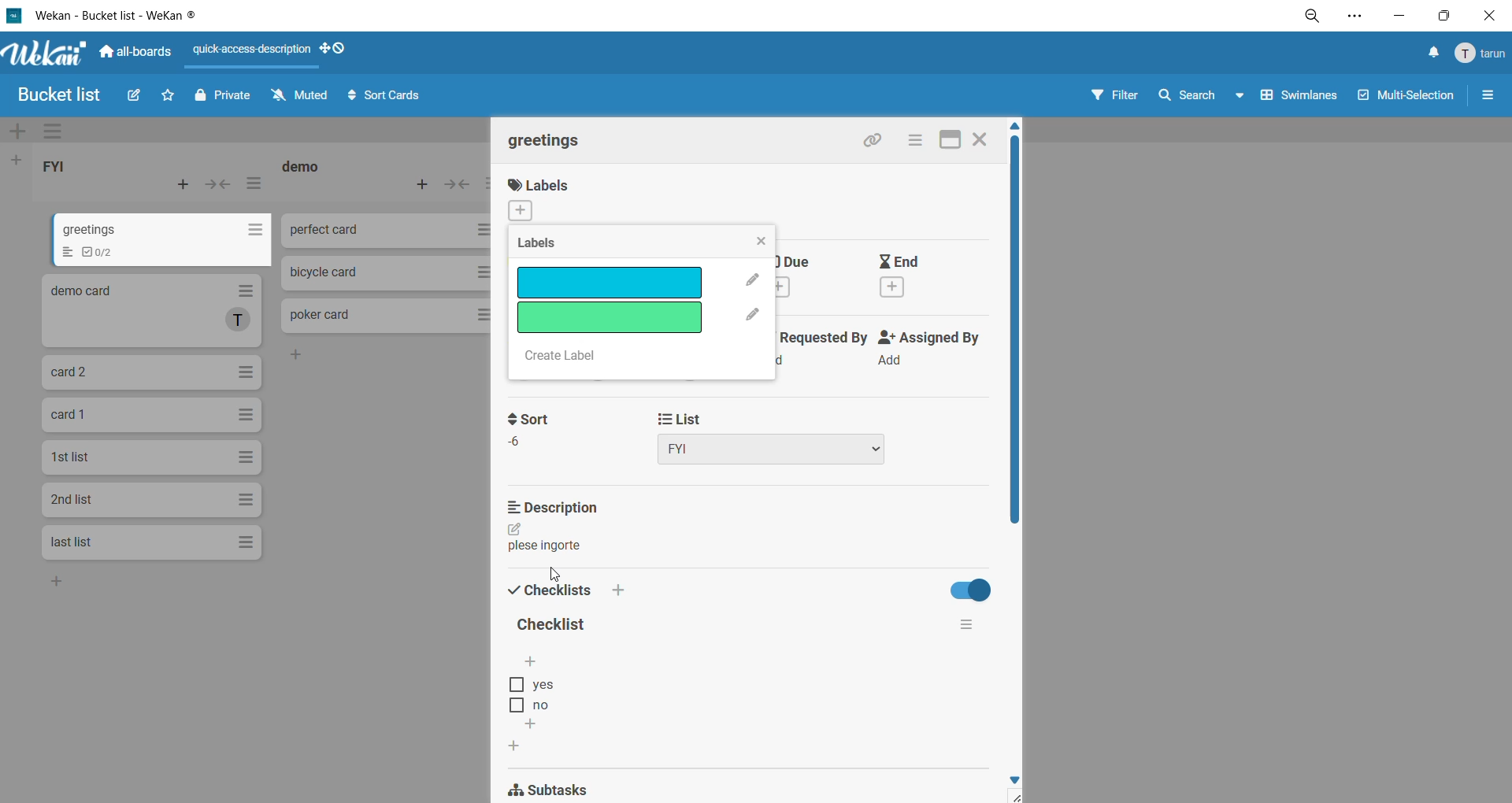  Describe the element at coordinates (556, 576) in the screenshot. I see `cursor` at that location.